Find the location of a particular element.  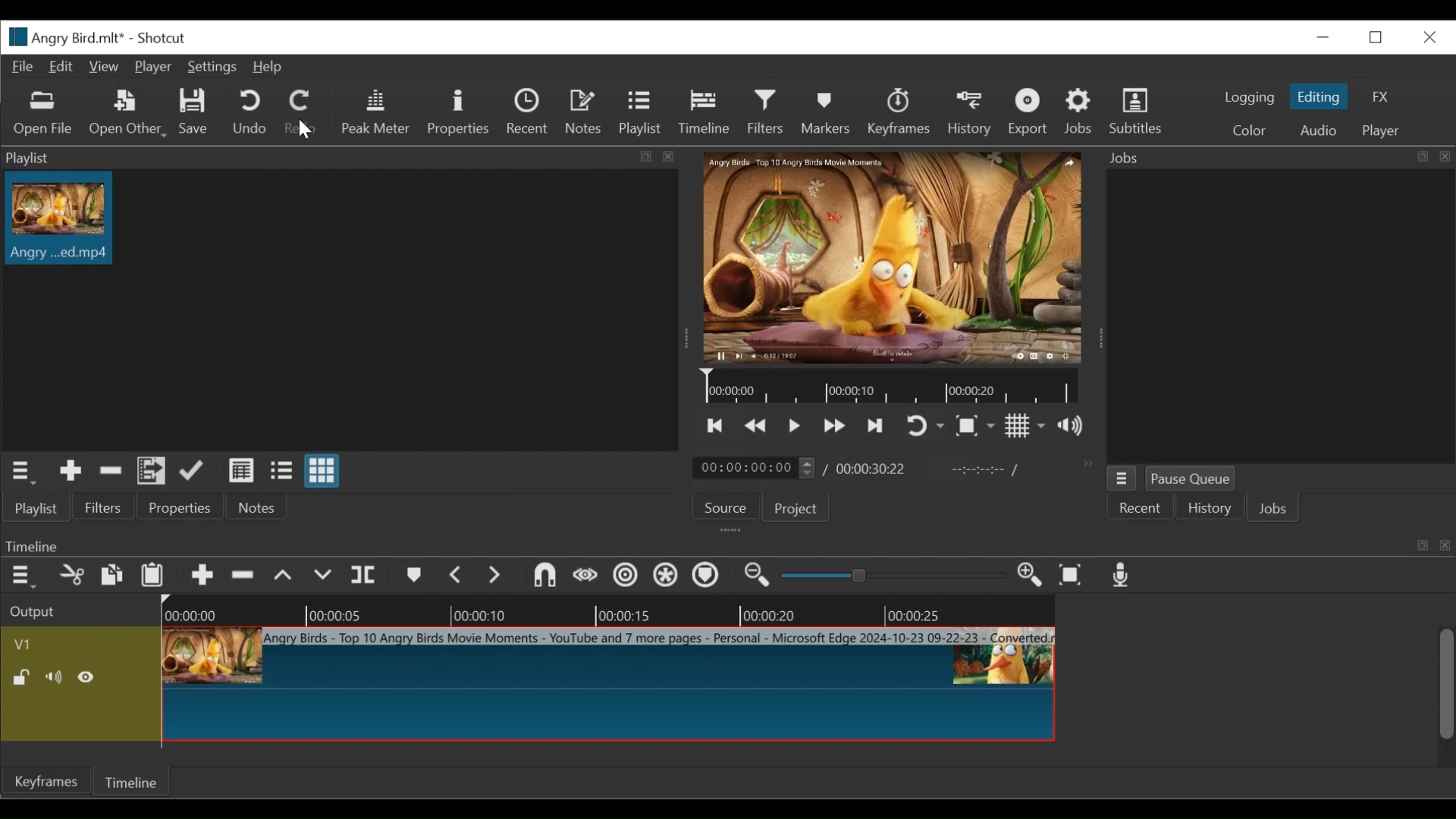

Color is located at coordinates (1248, 130).